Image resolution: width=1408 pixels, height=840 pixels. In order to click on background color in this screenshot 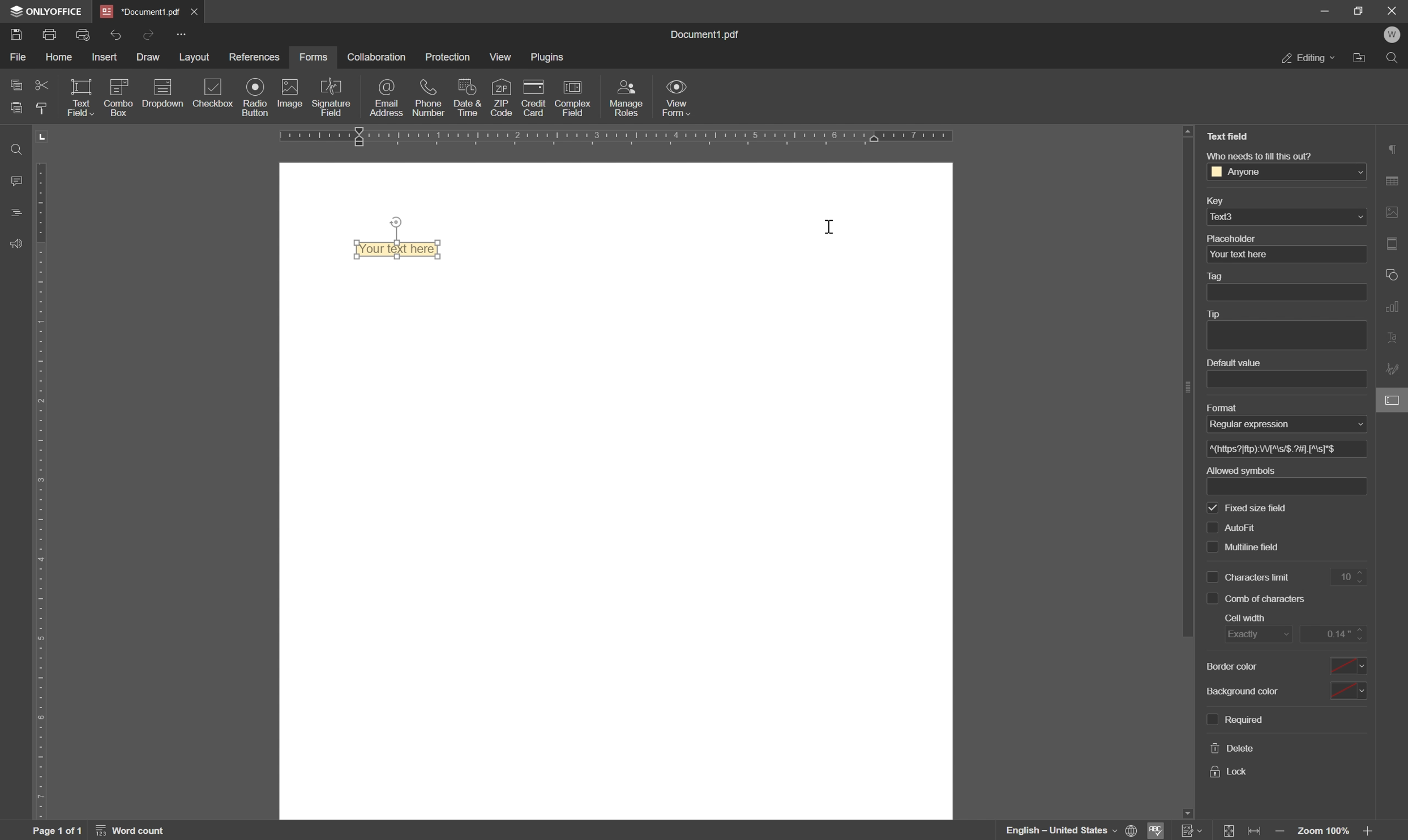, I will do `click(1241, 667)`.